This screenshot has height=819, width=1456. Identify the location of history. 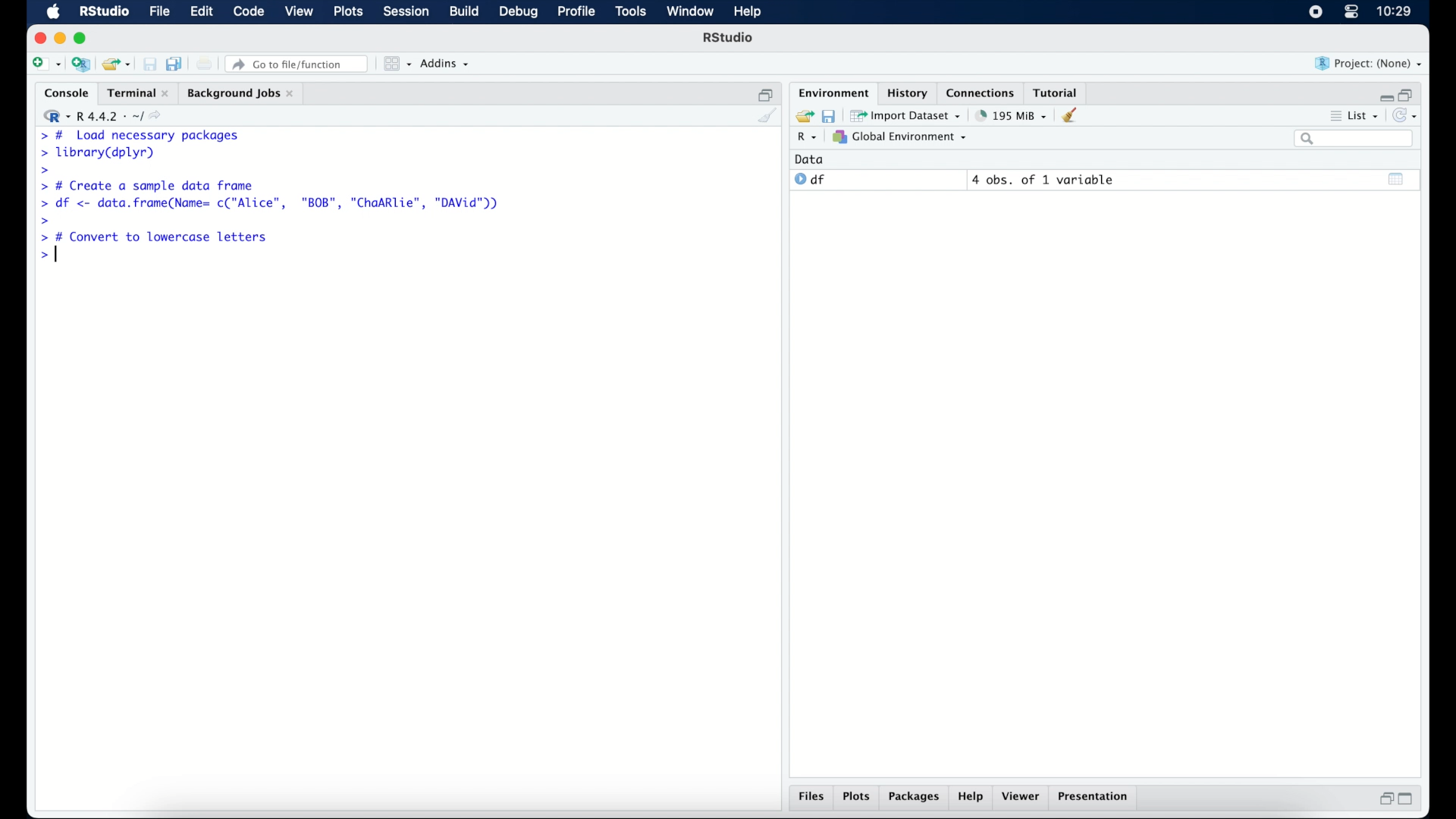
(906, 92).